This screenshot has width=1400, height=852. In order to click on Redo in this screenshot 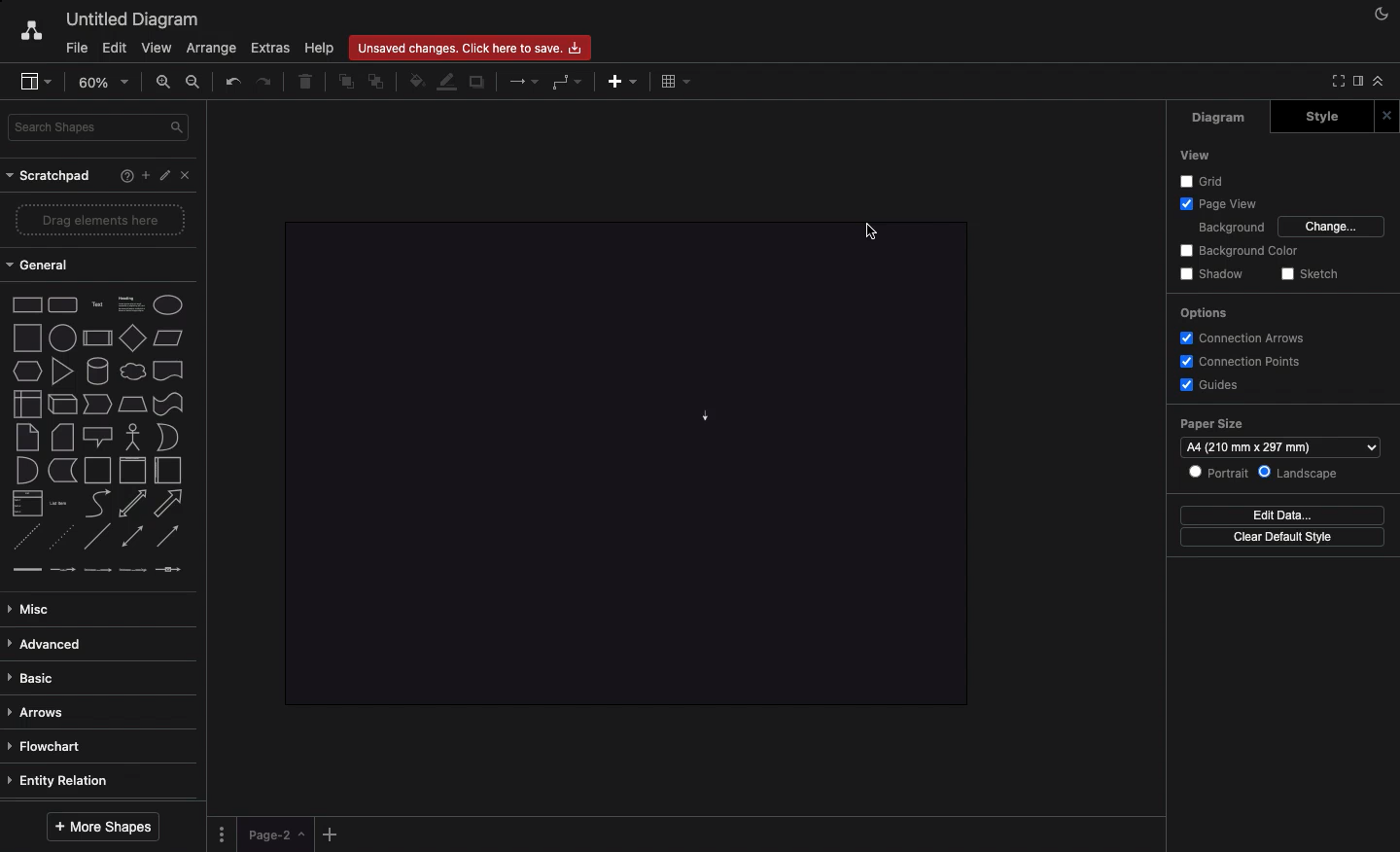, I will do `click(267, 83)`.